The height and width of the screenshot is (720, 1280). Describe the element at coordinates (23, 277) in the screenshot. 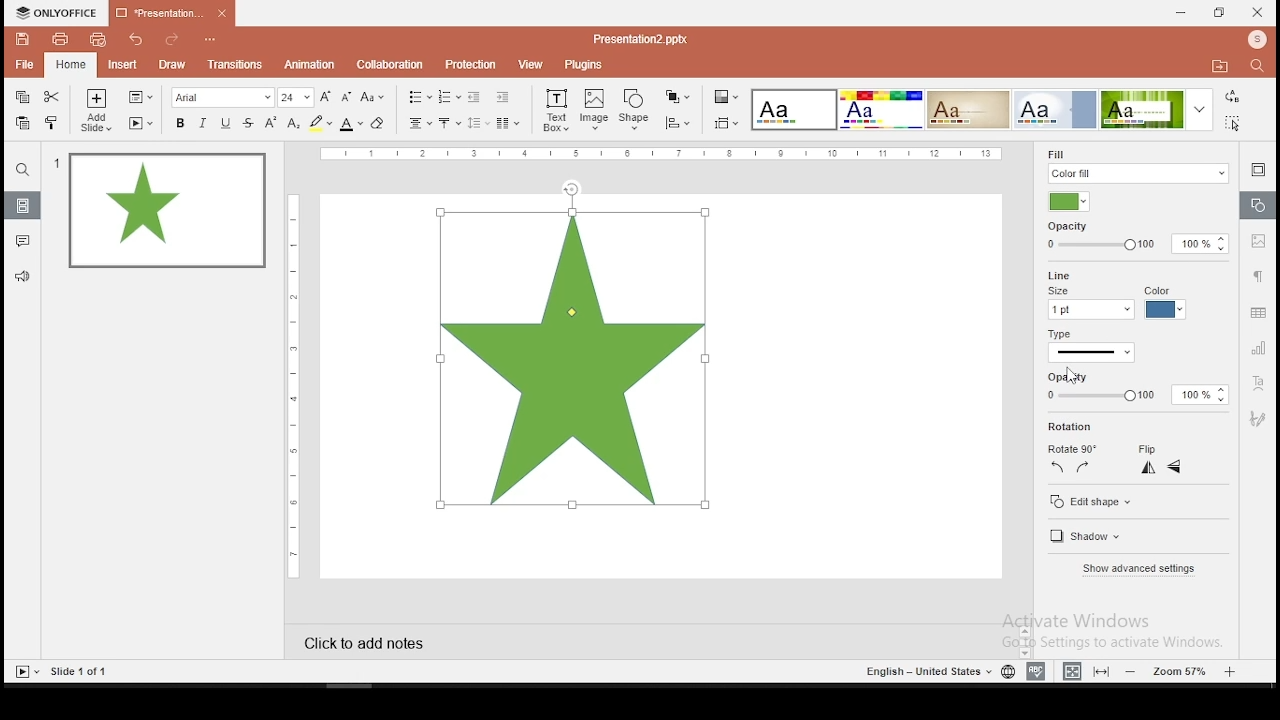

I see `support and feedback` at that location.